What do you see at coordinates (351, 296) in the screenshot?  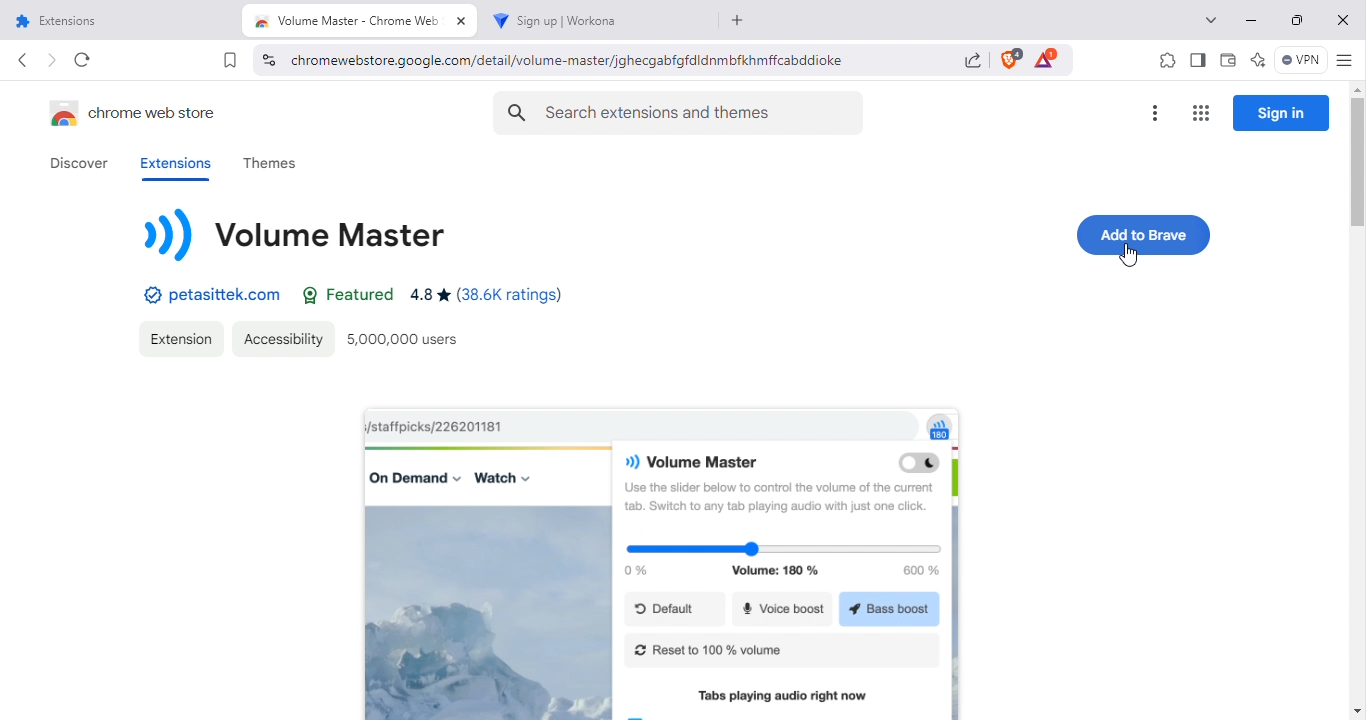 I see `Featured` at bounding box center [351, 296].